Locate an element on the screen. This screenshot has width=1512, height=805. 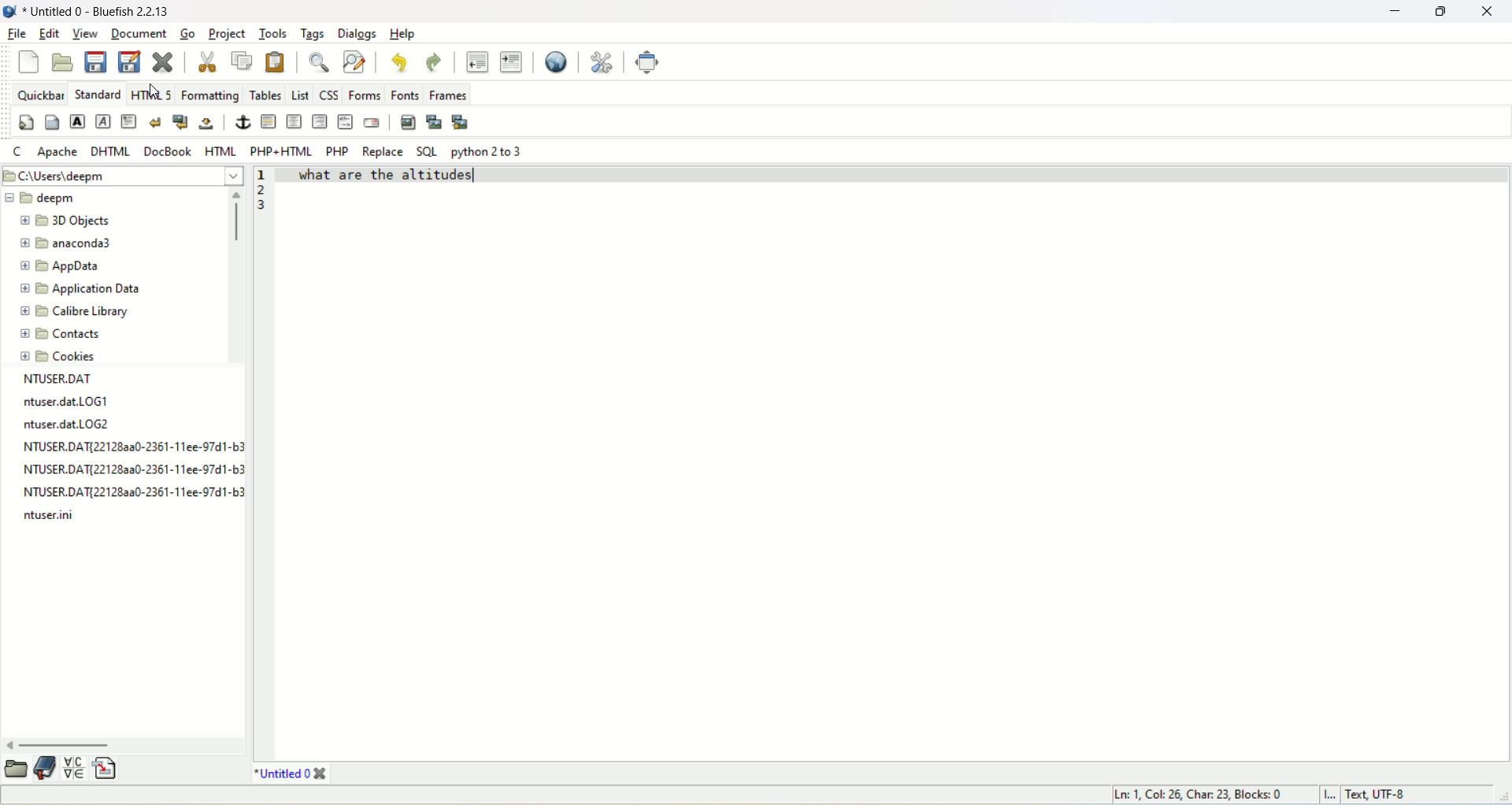
break and clear is located at coordinates (181, 121).